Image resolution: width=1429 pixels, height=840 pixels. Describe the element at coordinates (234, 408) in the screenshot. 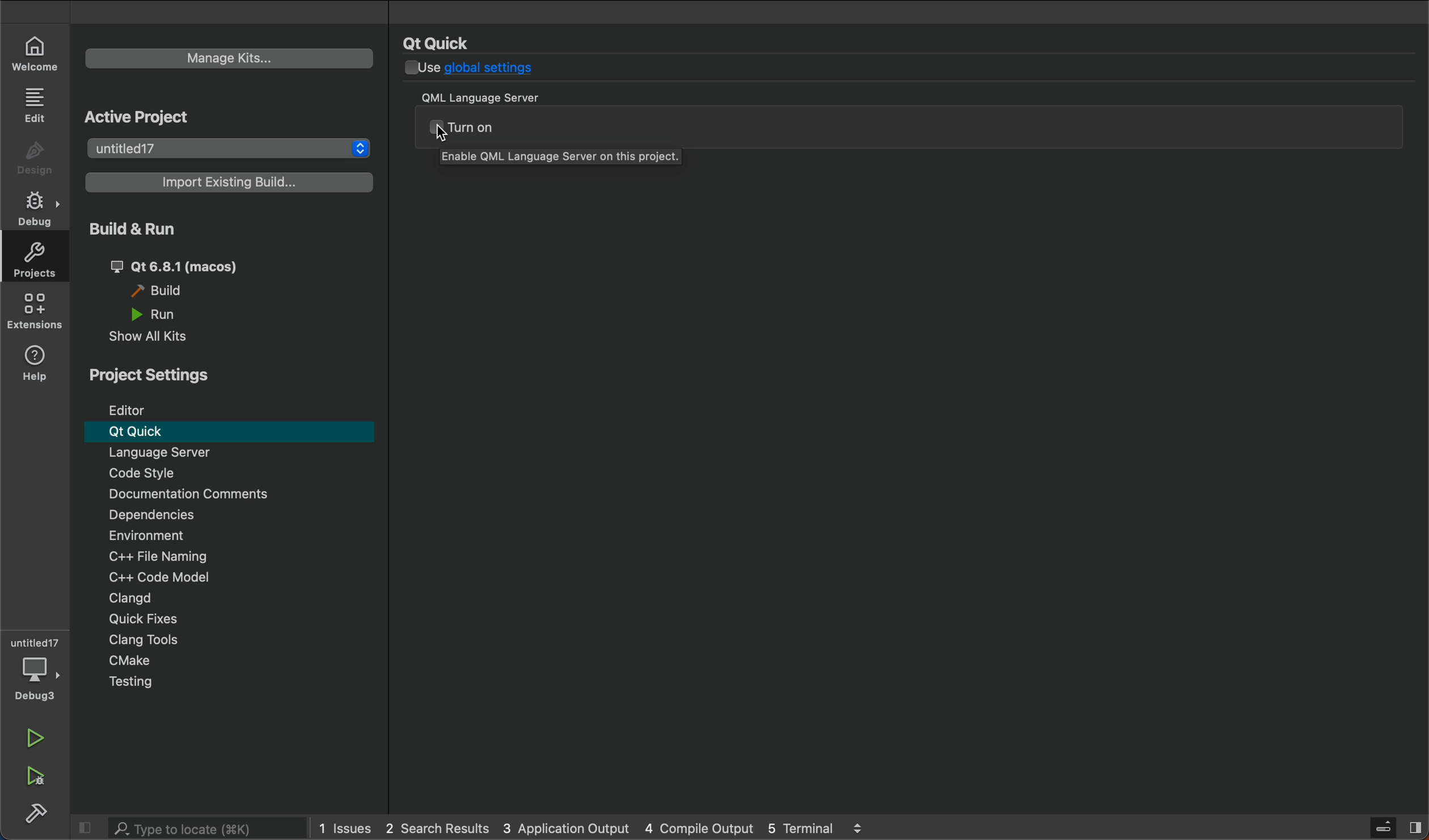

I see `editor` at that location.